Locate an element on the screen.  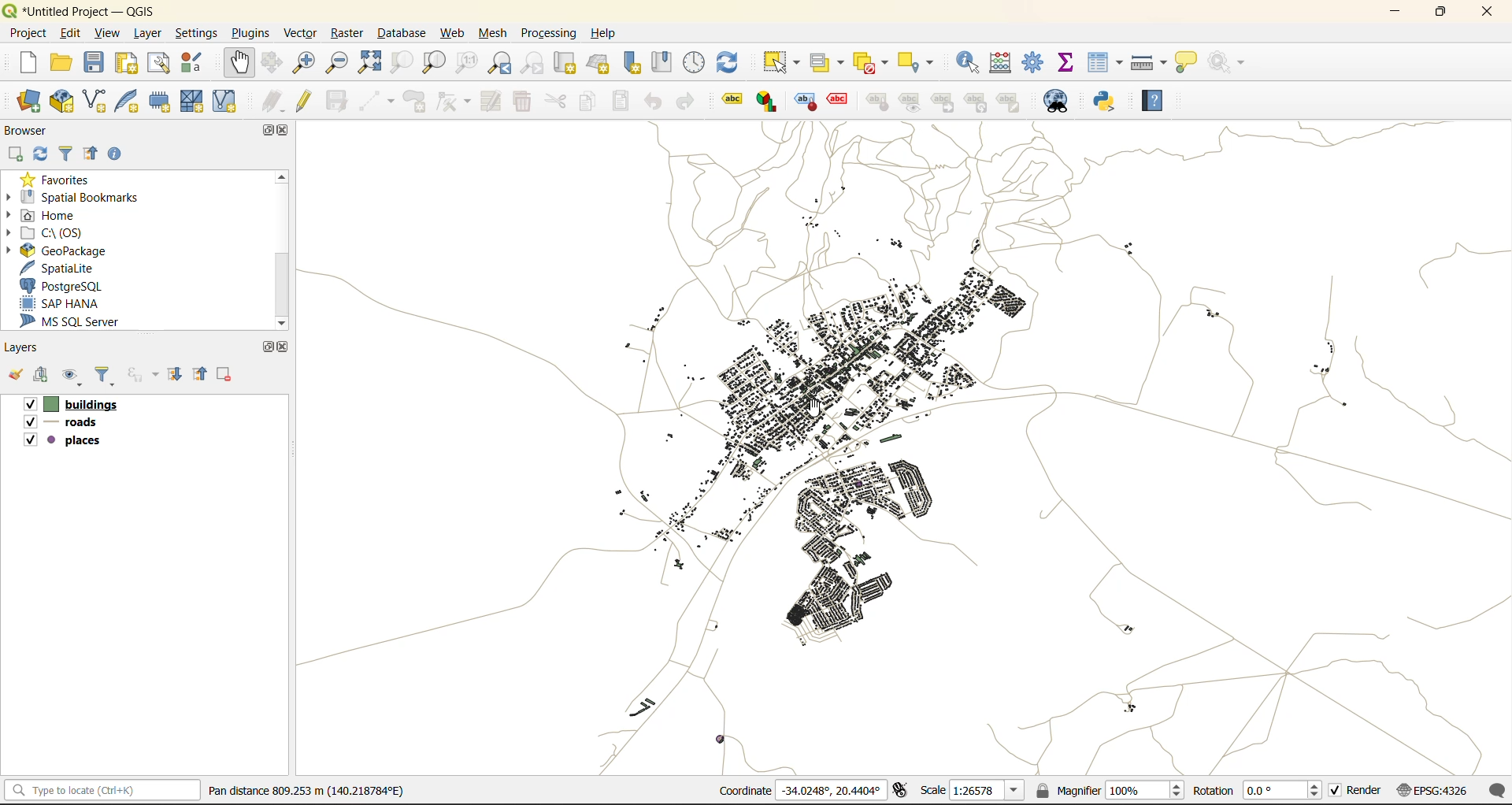
home is located at coordinates (47, 214).